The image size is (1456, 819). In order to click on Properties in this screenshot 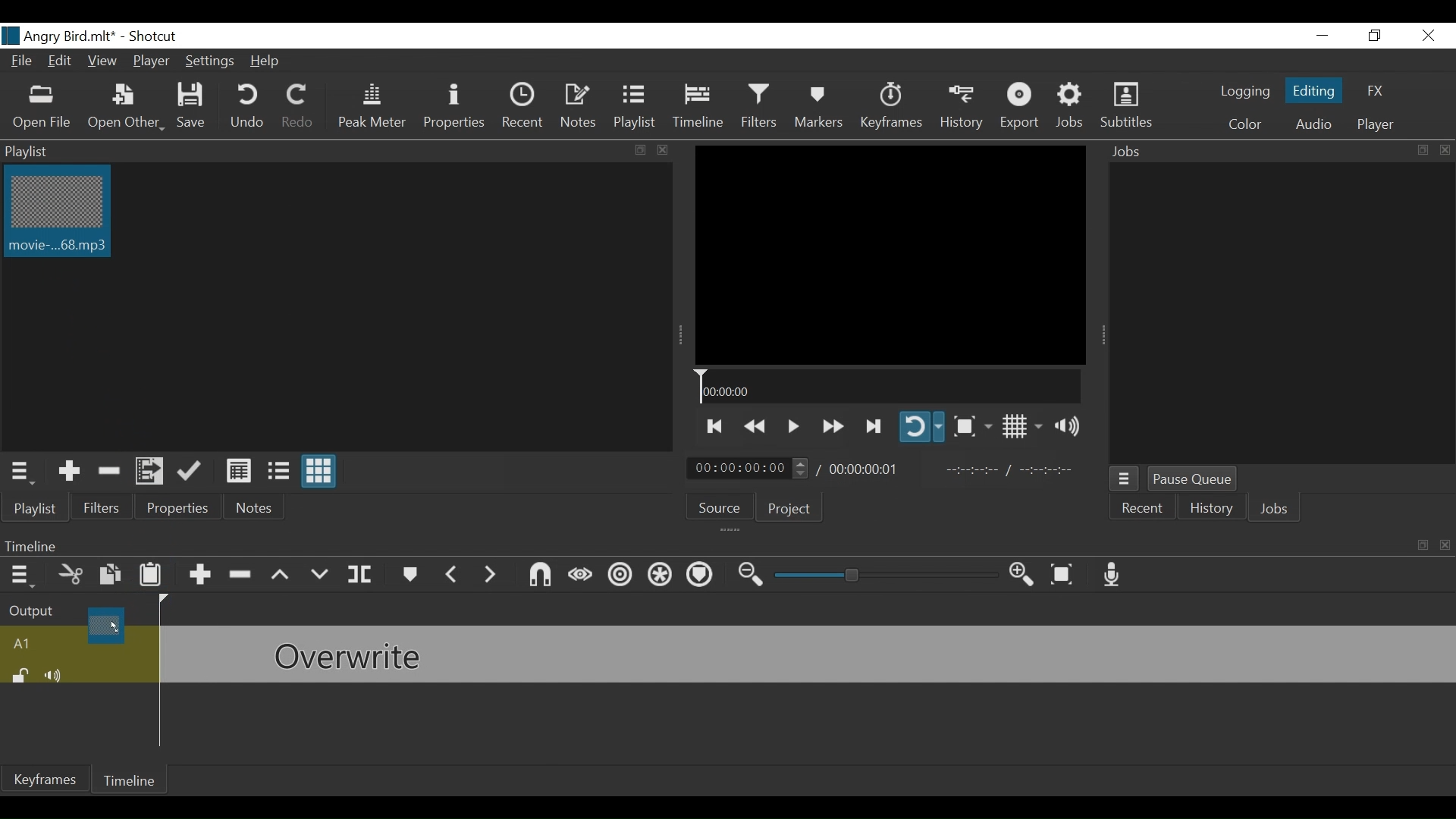, I will do `click(175, 507)`.